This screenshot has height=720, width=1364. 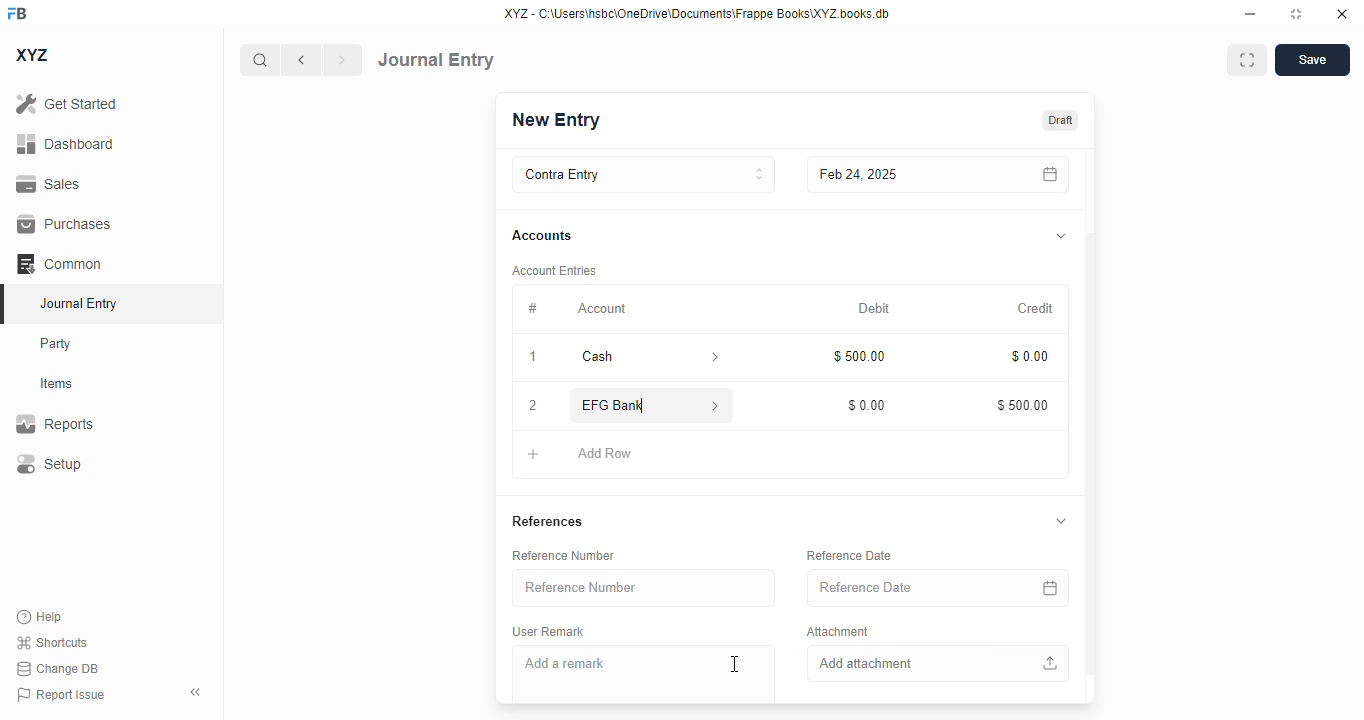 What do you see at coordinates (55, 423) in the screenshot?
I see `reports` at bounding box center [55, 423].